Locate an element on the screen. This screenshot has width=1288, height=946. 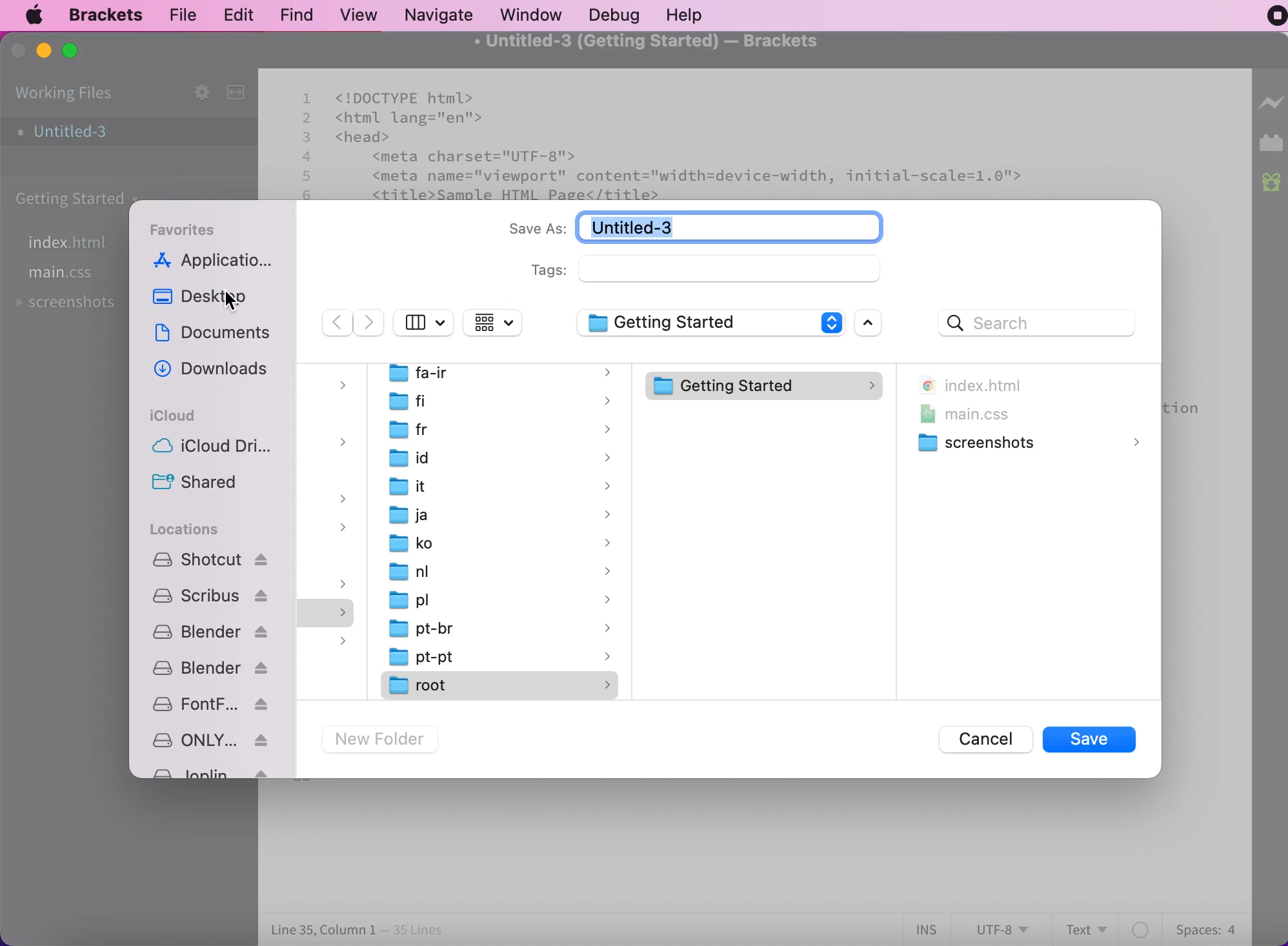
pt-pt is located at coordinates (500, 655).